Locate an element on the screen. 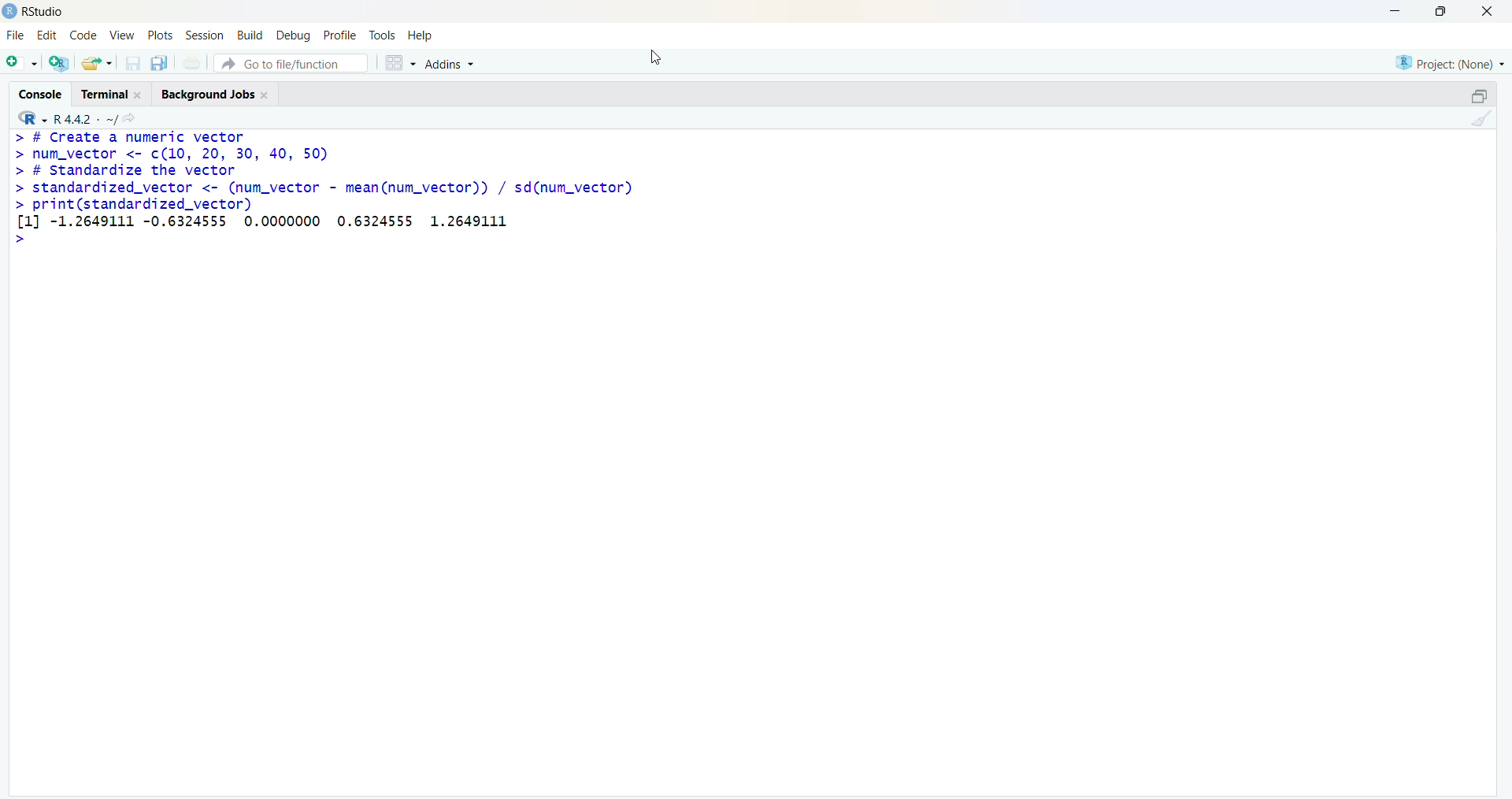 The image size is (1512, 799). cursor is located at coordinates (654, 59).